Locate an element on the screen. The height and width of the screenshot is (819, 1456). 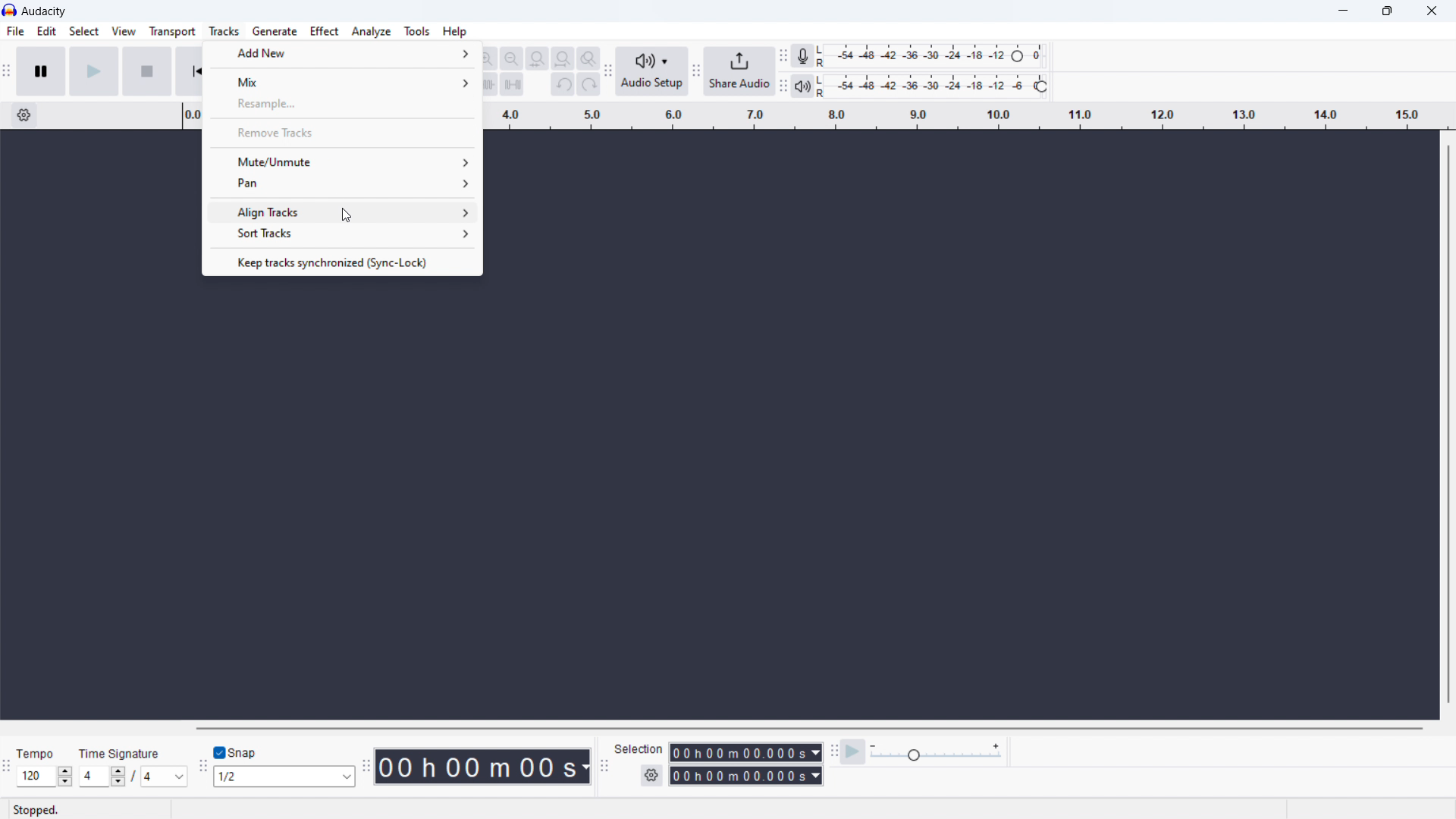
selection end time is located at coordinates (746, 776).